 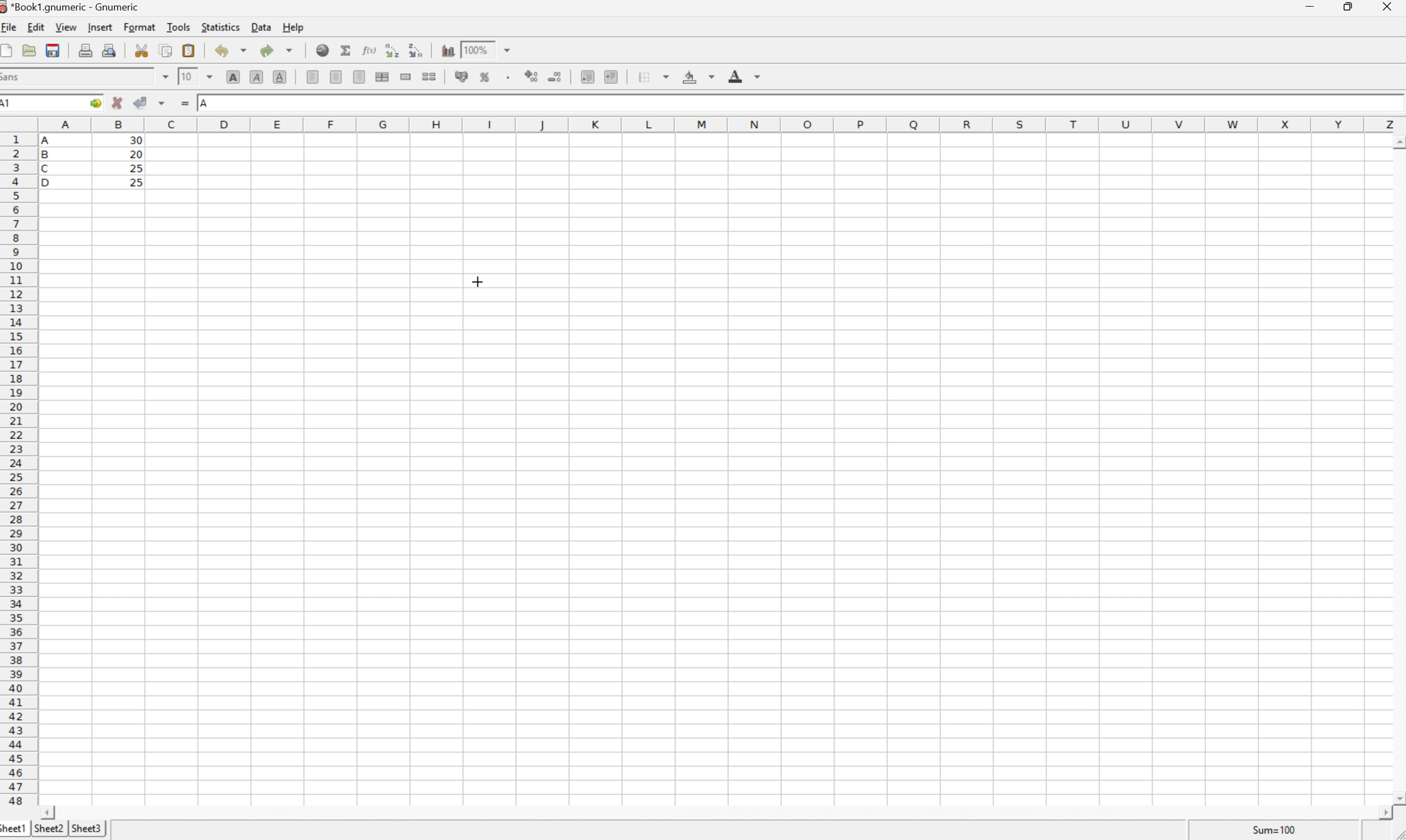 I want to click on Print the current file, so click(x=86, y=50).